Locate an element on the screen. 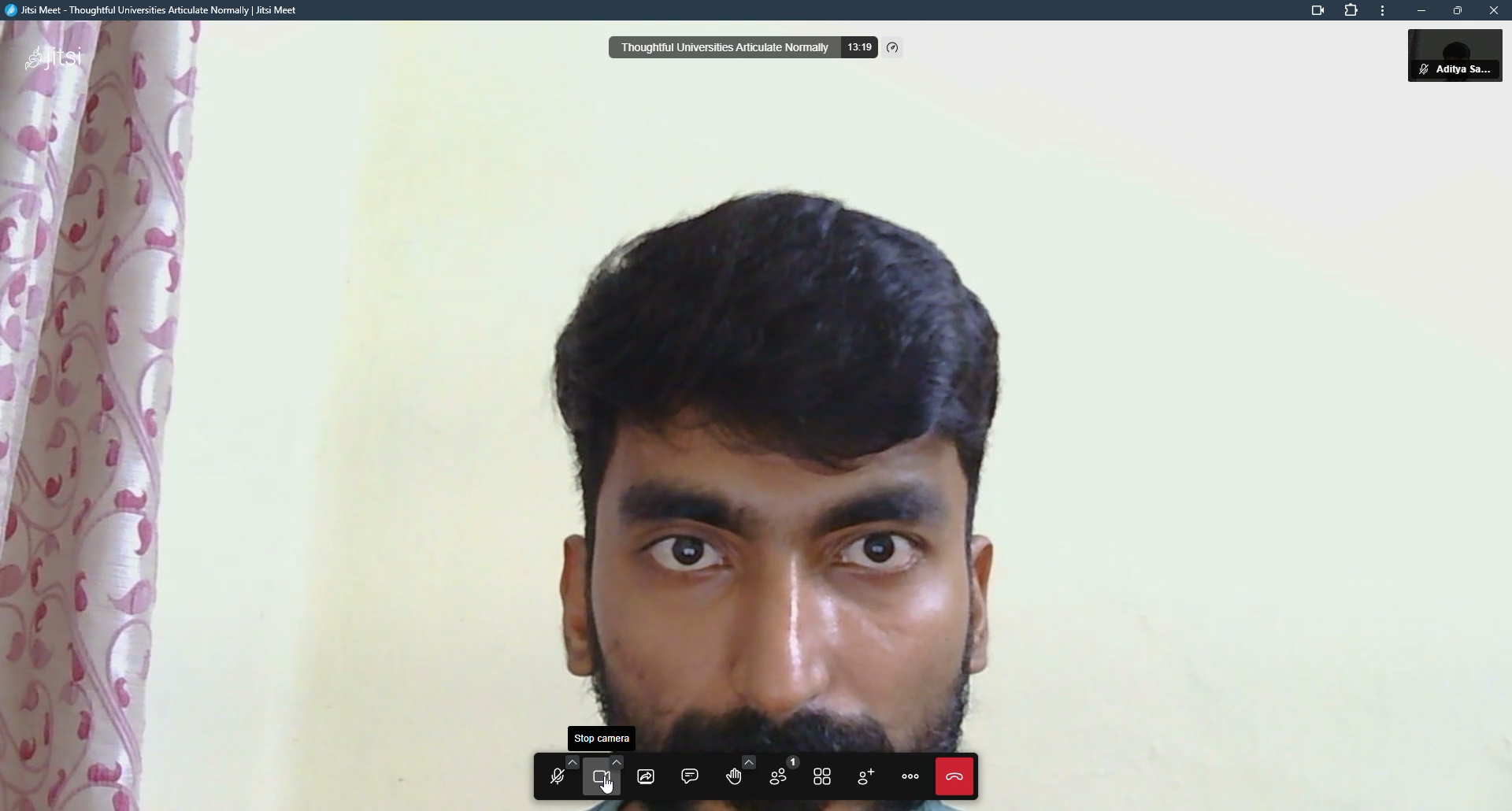  invite people is located at coordinates (863, 777).